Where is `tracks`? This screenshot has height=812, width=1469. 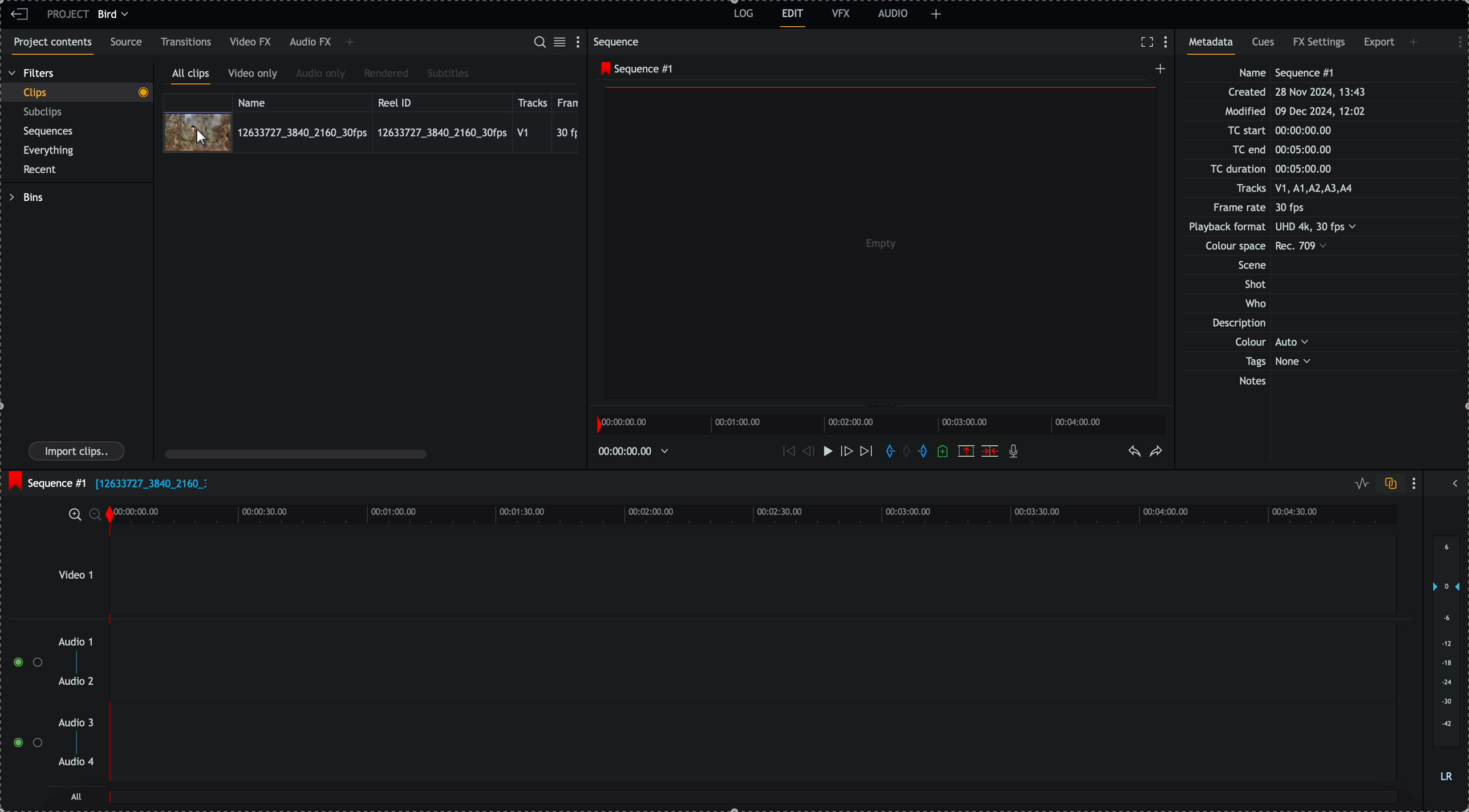
tracks is located at coordinates (533, 101).